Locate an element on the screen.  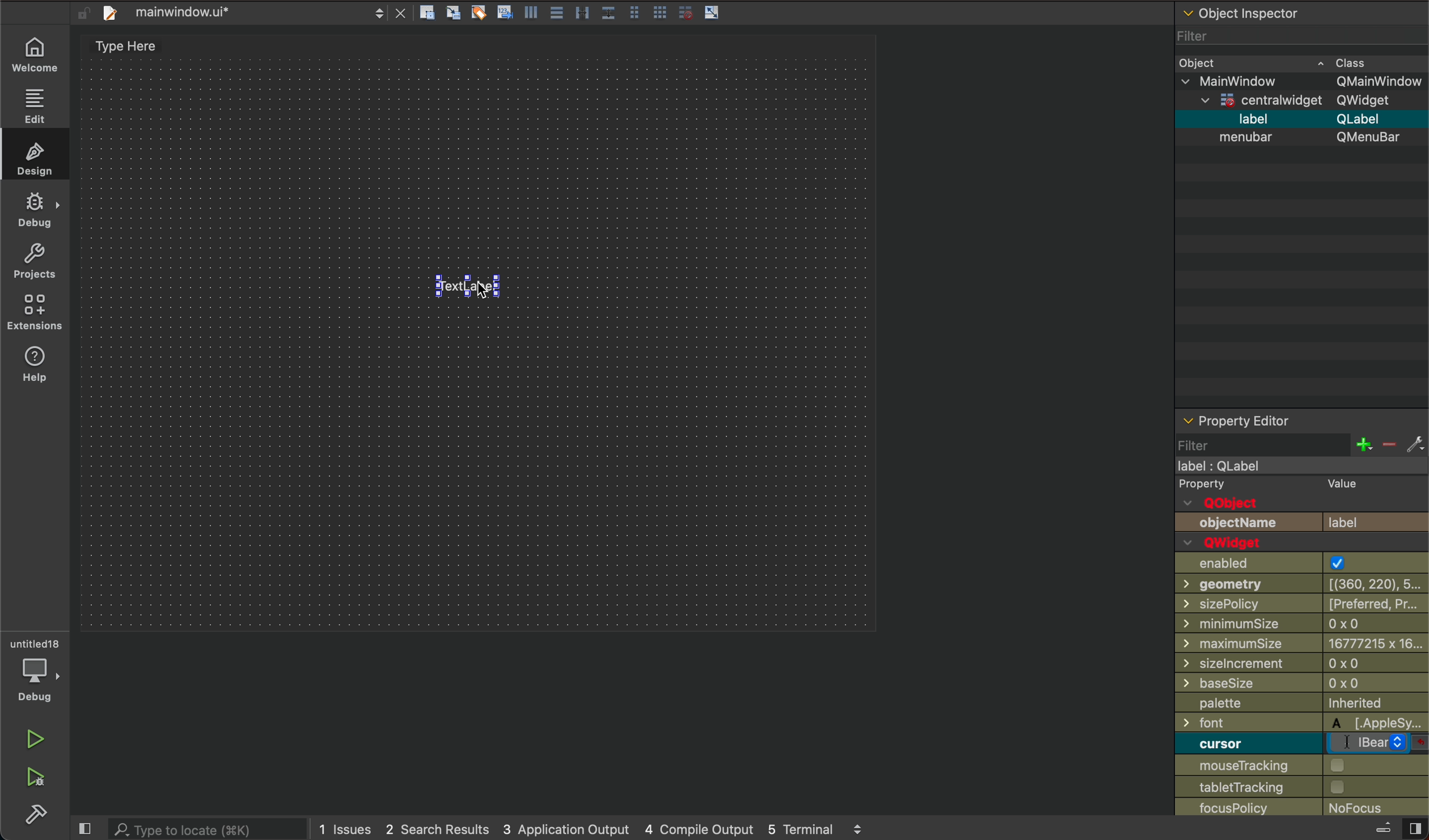
[(360, 220), 5... is located at coordinates (1372, 584).